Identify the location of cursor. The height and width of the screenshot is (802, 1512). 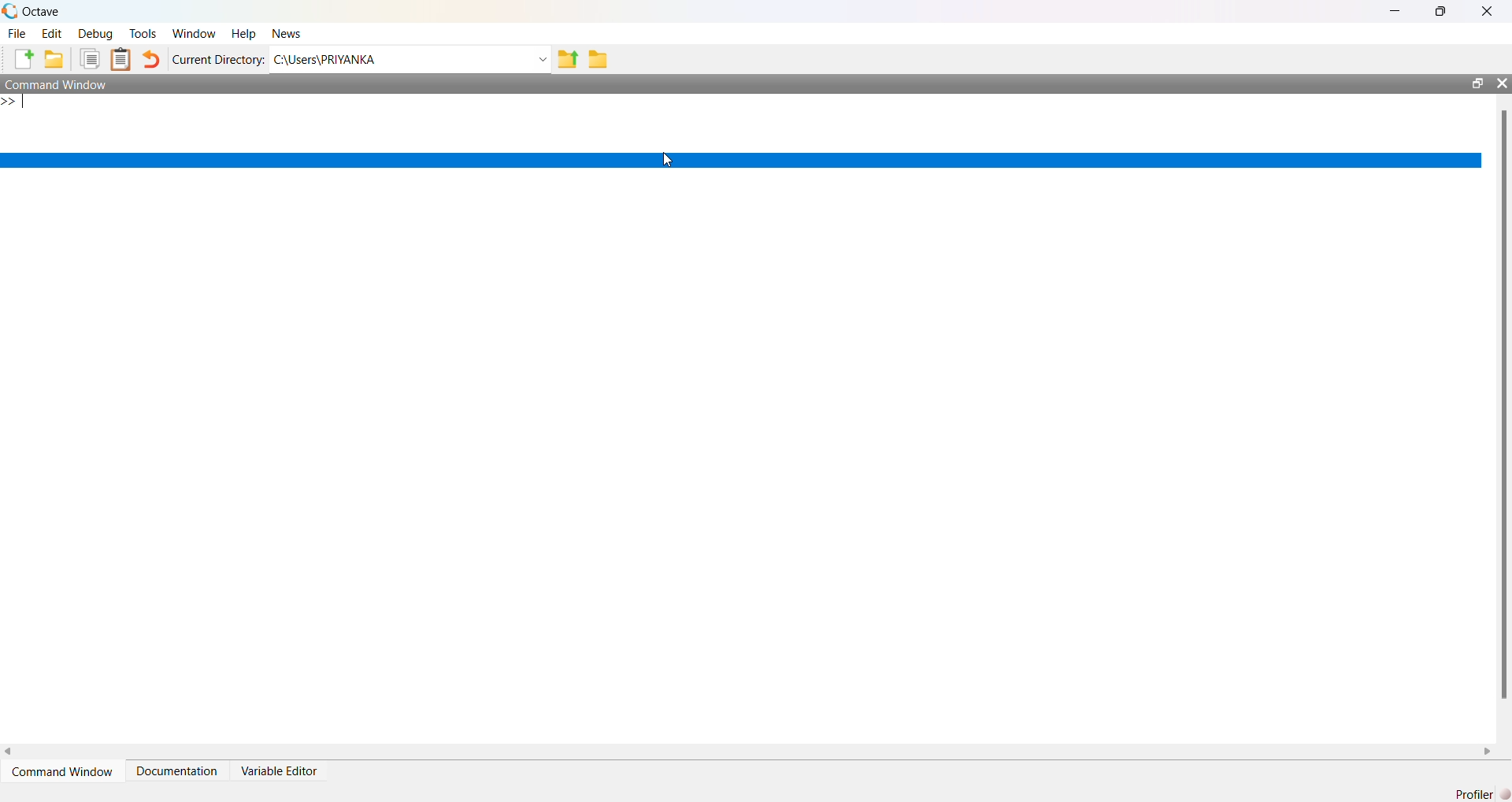
(669, 160).